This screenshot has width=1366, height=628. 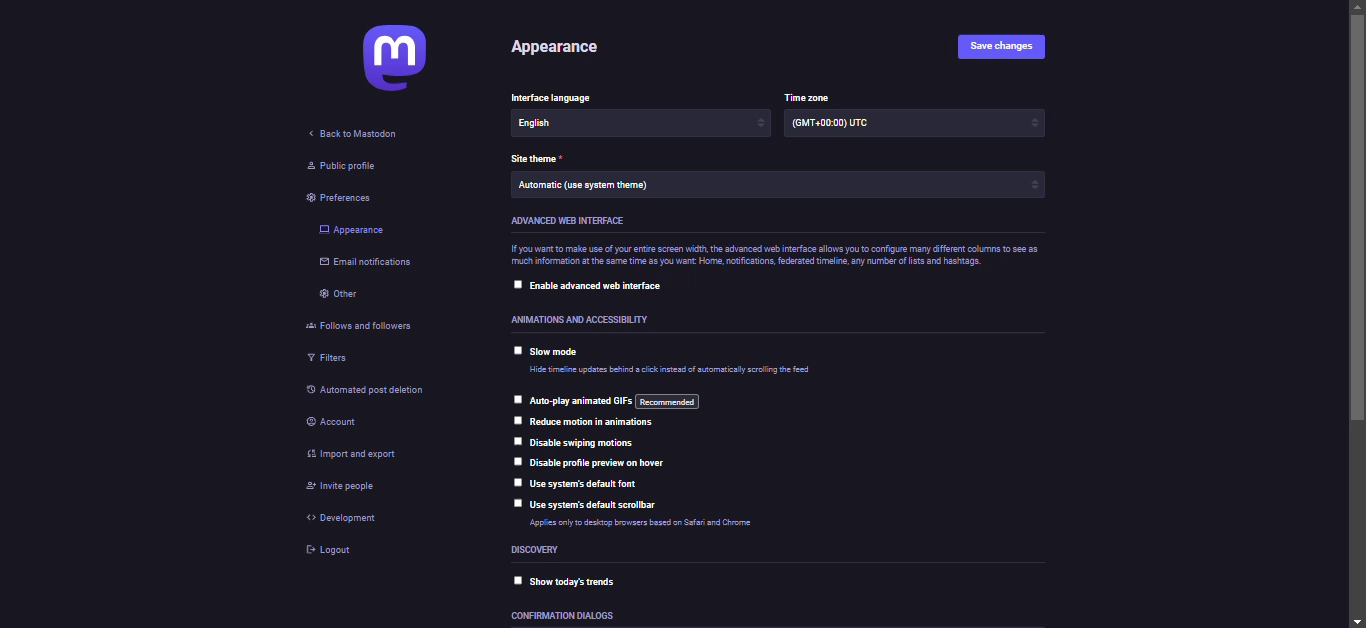 I want to click on time zone, so click(x=811, y=96).